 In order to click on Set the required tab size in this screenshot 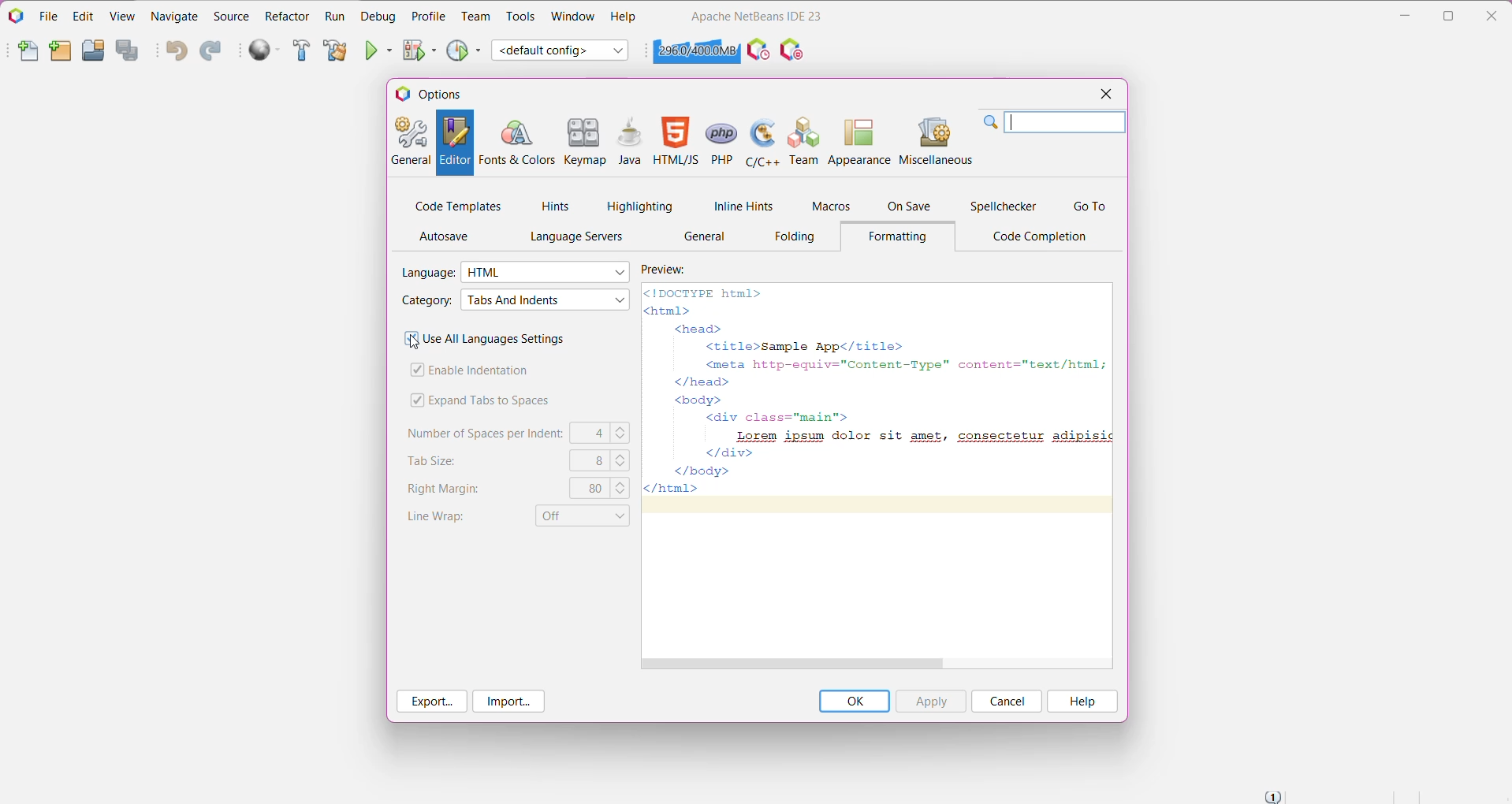, I will do `click(626, 460)`.